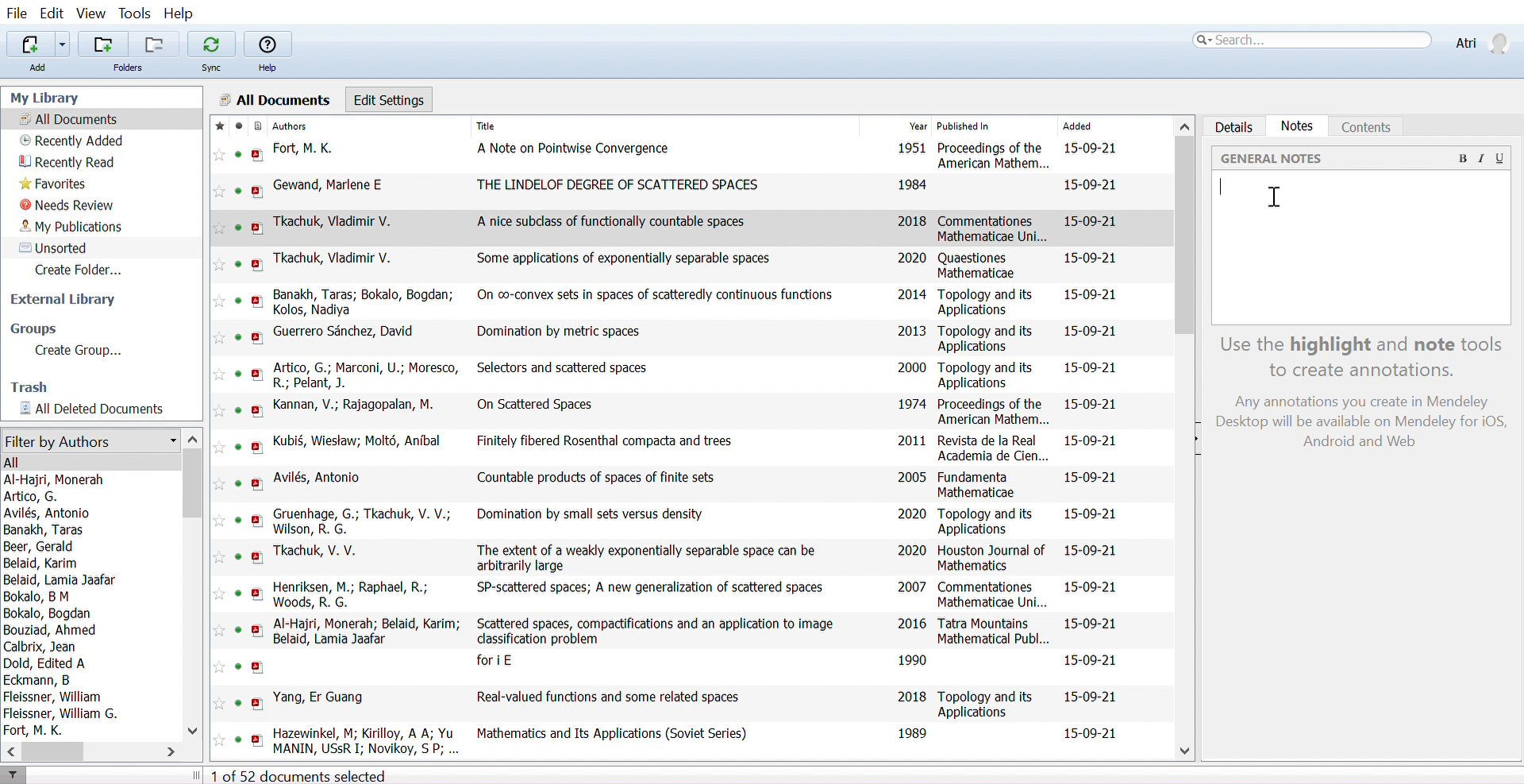 Image resolution: width=1524 pixels, height=784 pixels. What do you see at coordinates (257, 484) in the screenshot?
I see `open PDF` at bounding box center [257, 484].